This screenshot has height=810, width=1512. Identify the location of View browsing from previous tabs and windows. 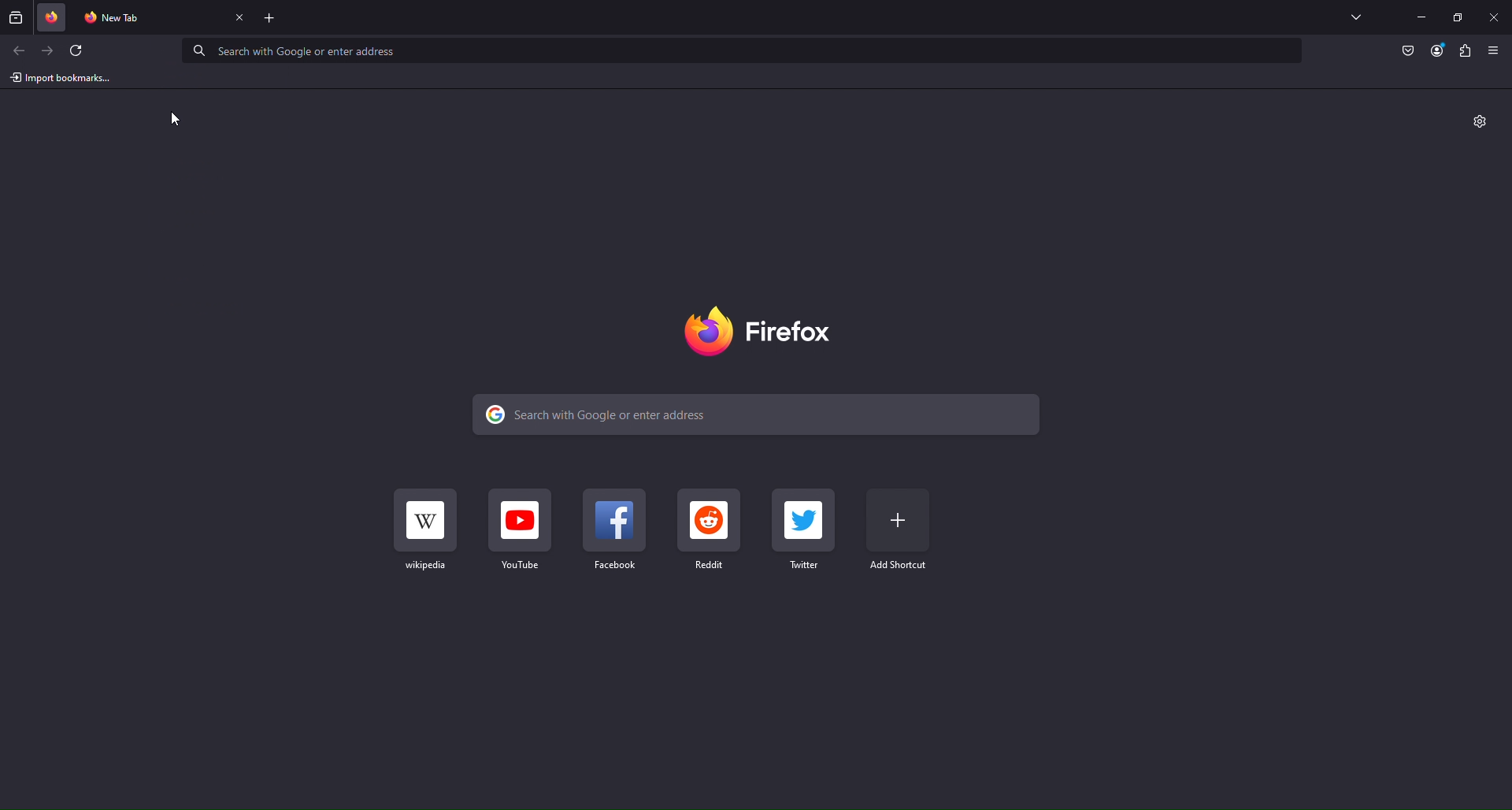
(15, 17).